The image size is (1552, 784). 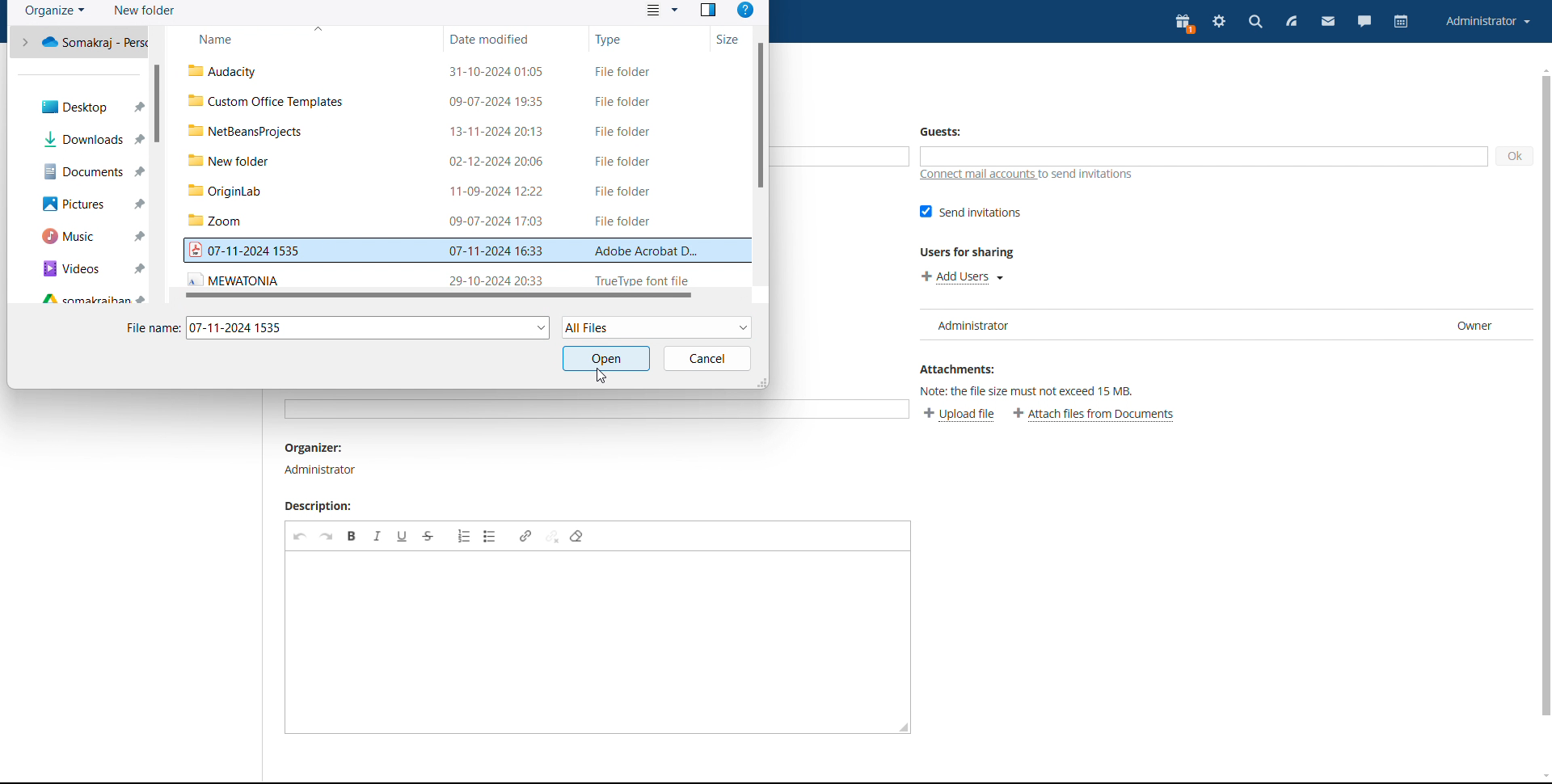 I want to click on , so click(x=462, y=103).